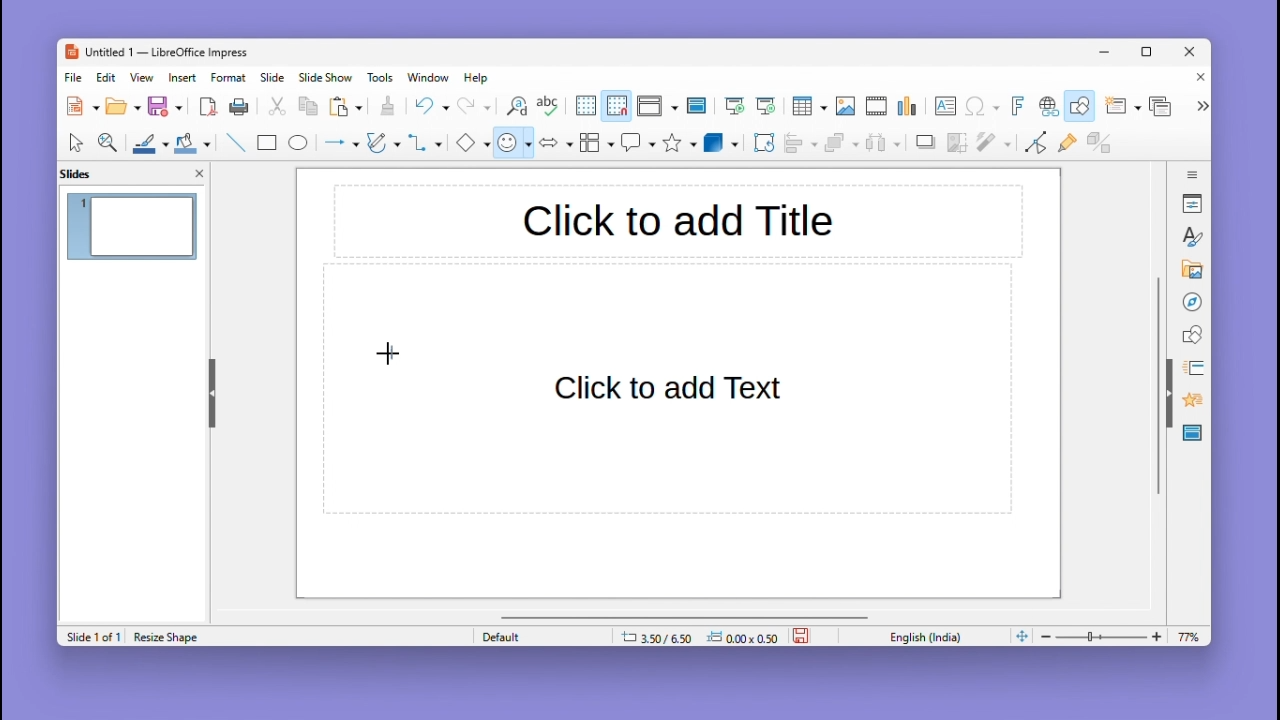  Describe the element at coordinates (478, 78) in the screenshot. I see `Help` at that location.